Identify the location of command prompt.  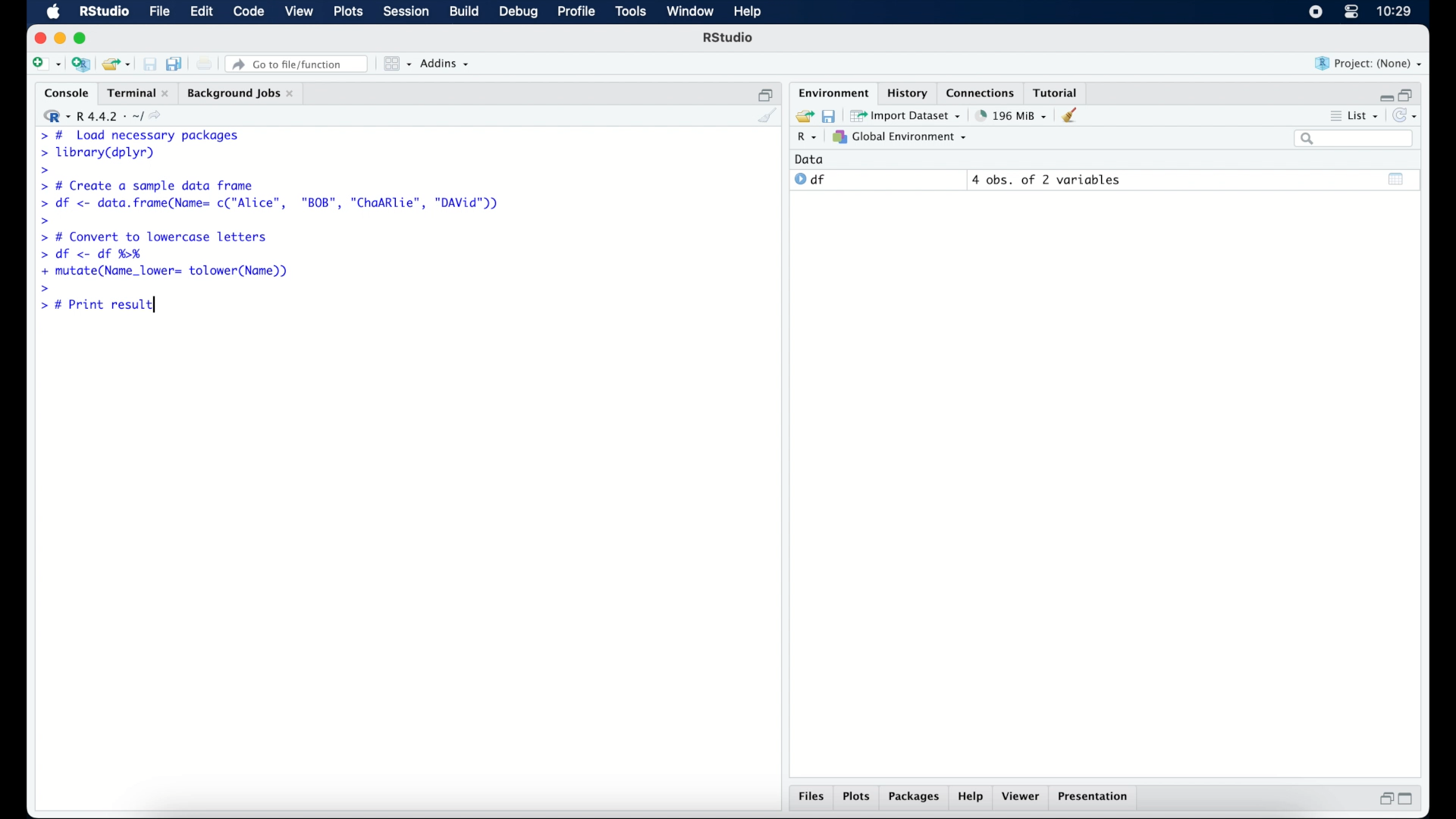
(45, 220).